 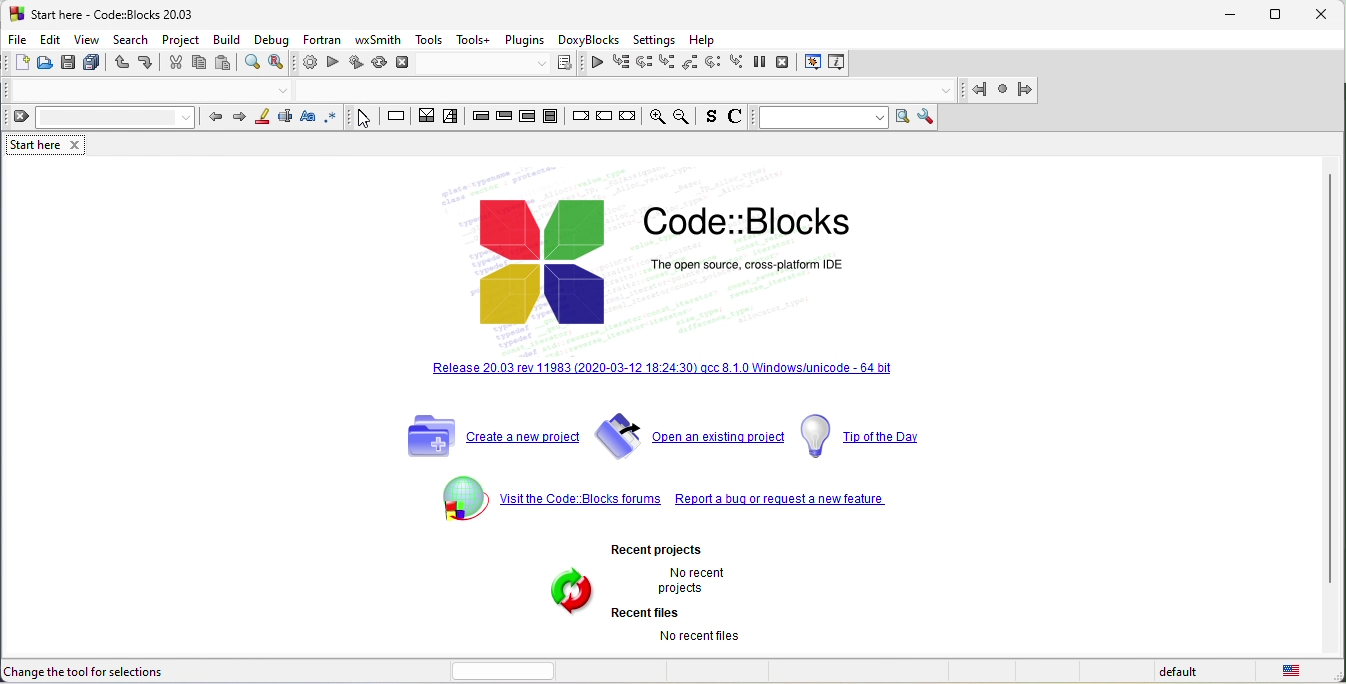 What do you see at coordinates (710, 41) in the screenshot?
I see `help` at bounding box center [710, 41].